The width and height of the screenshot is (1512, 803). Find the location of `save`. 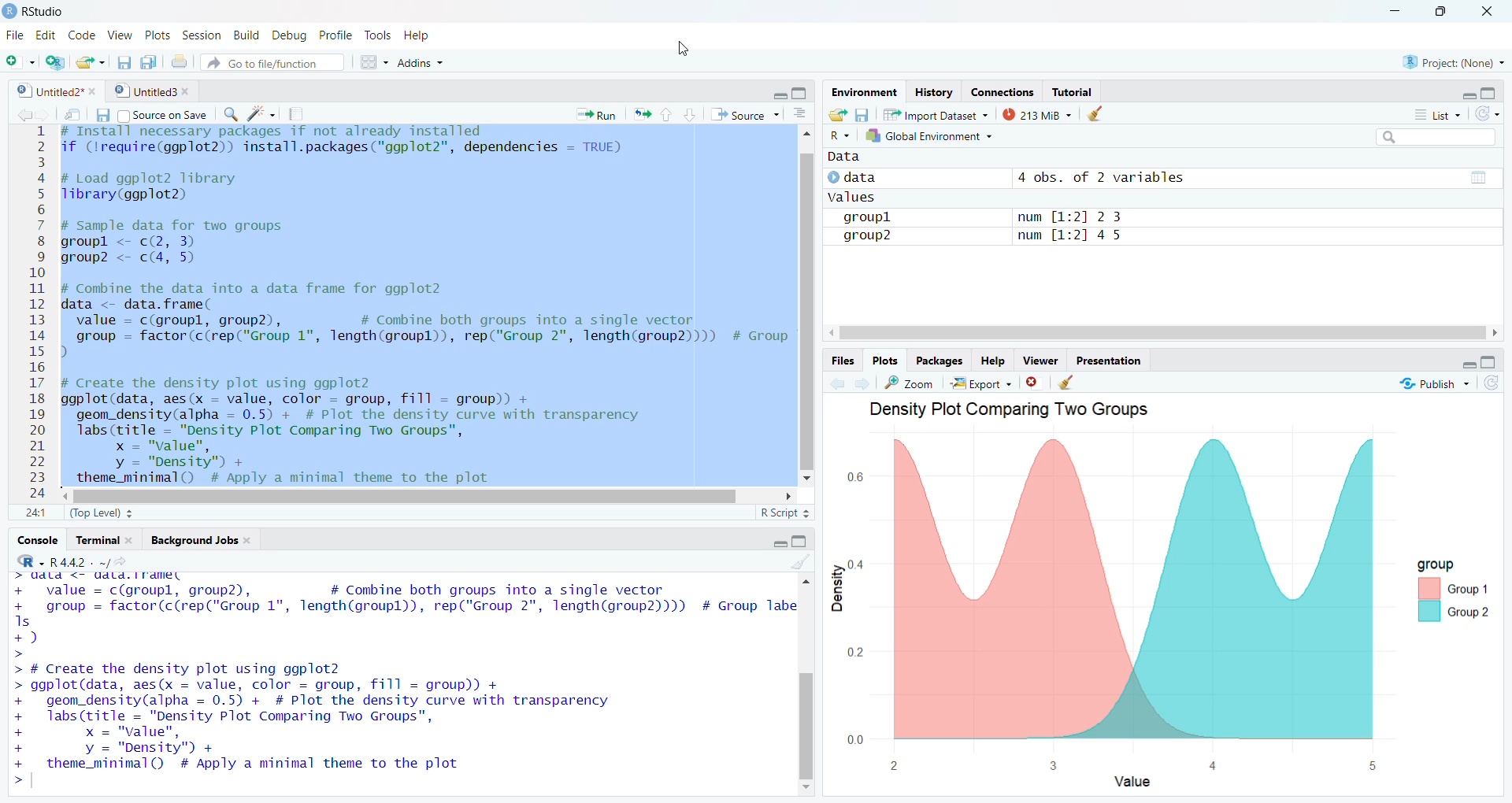

save is located at coordinates (864, 114).